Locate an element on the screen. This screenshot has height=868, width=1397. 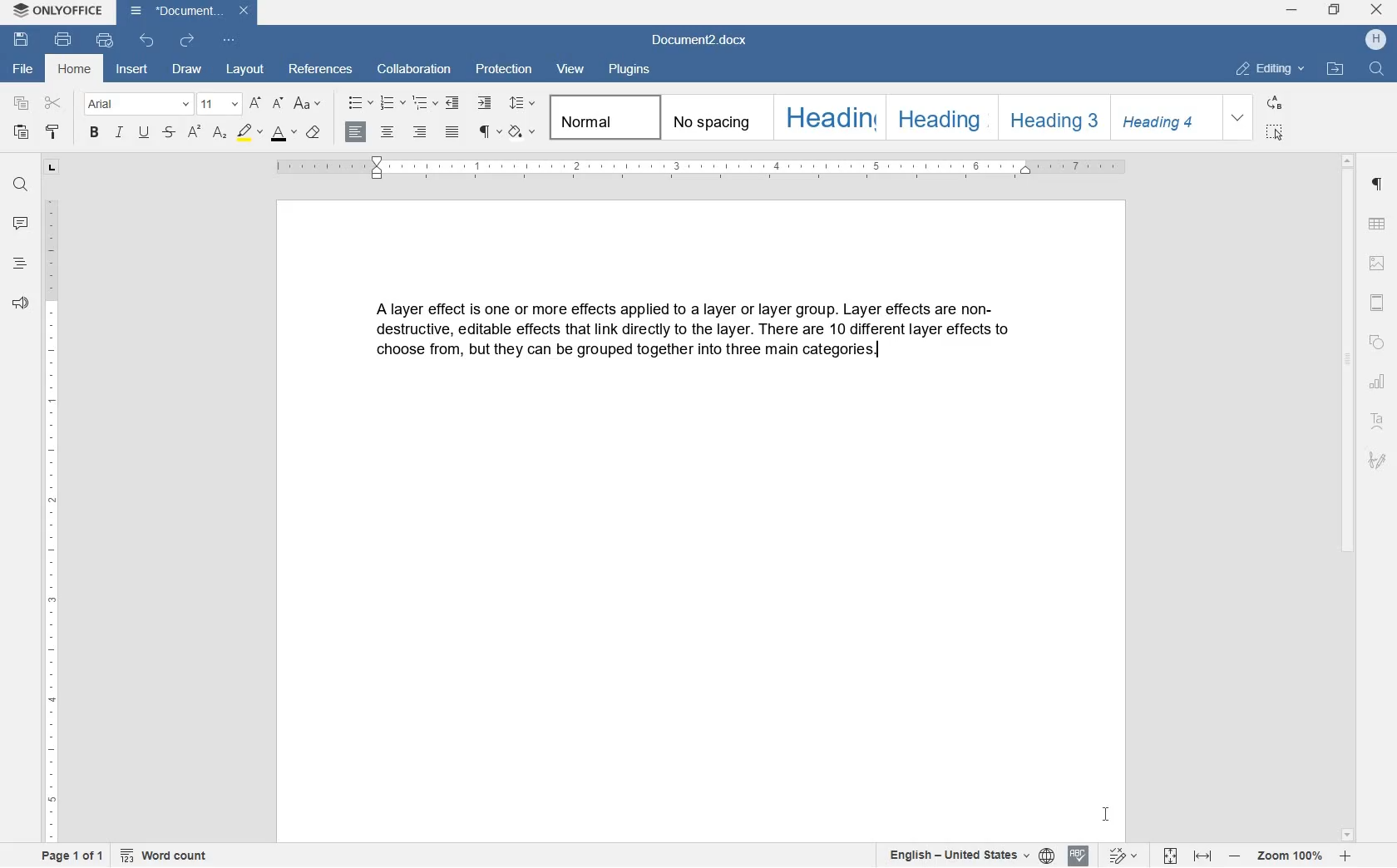
INSERT is located at coordinates (131, 69).